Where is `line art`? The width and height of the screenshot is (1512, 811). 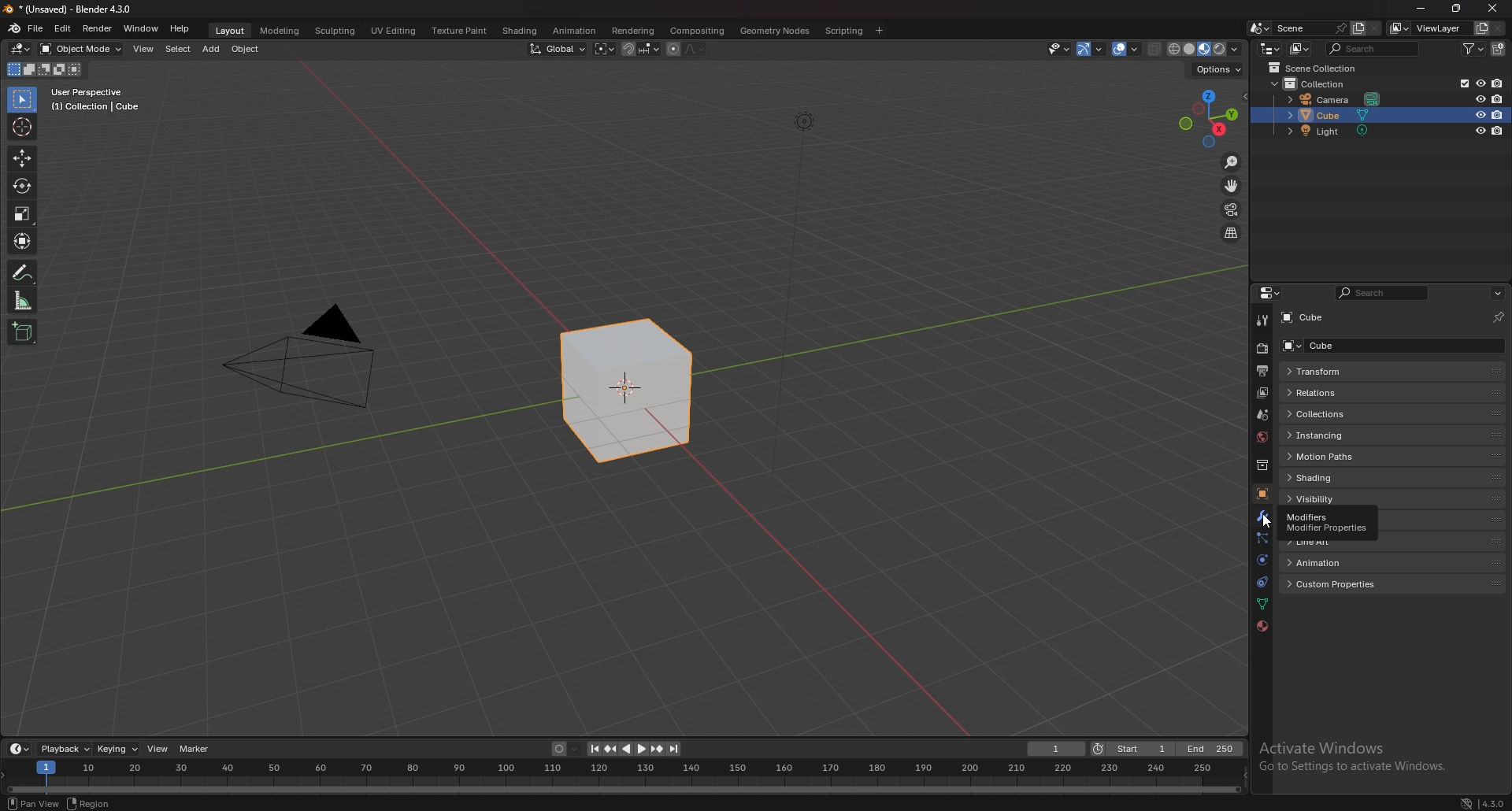
line art is located at coordinates (1353, 543).